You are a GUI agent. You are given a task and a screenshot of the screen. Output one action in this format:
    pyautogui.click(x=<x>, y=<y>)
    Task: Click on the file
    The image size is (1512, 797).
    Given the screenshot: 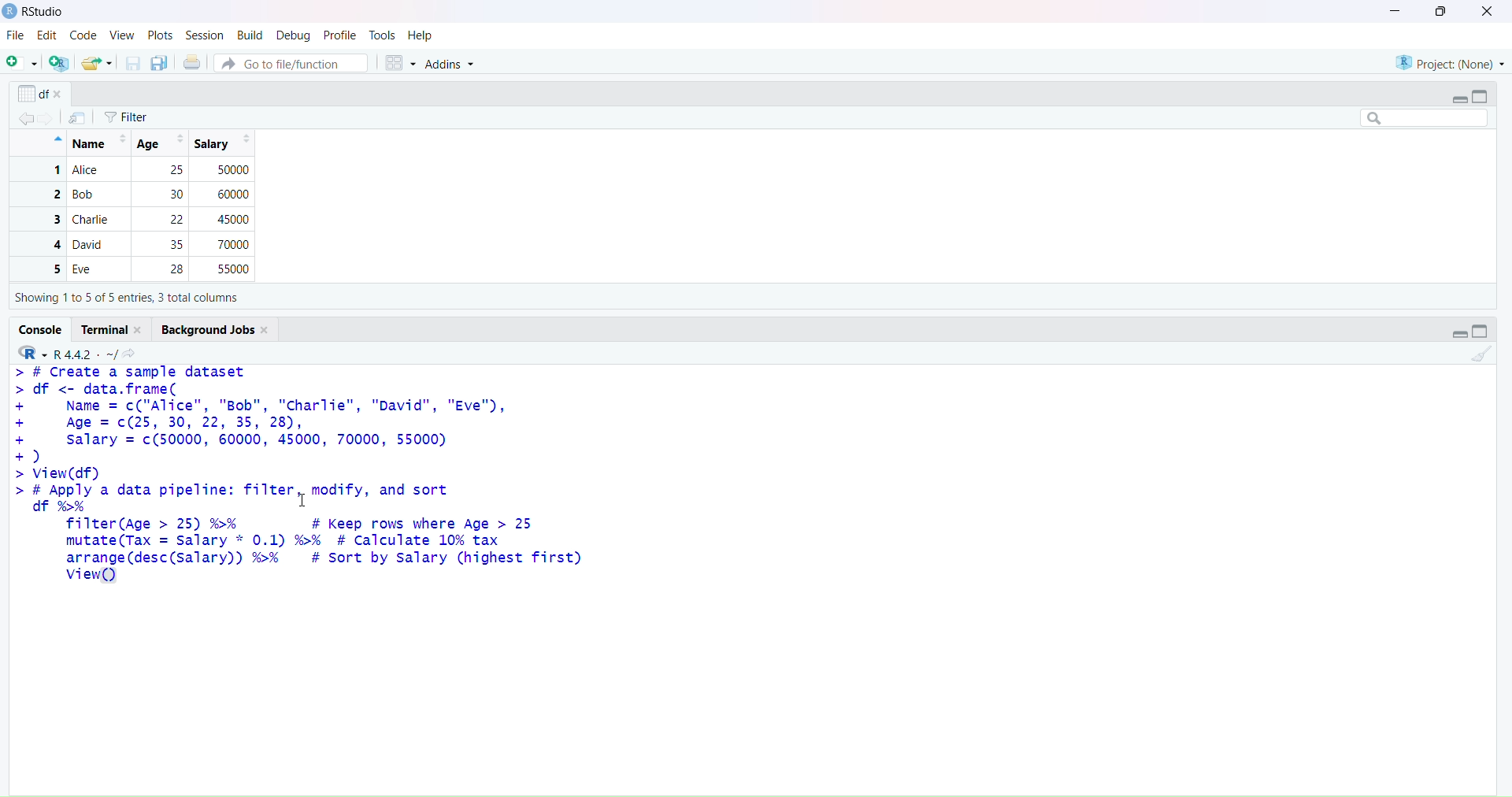 What is the action you would take?
    pyautogui.click(x=16, y=36)
    